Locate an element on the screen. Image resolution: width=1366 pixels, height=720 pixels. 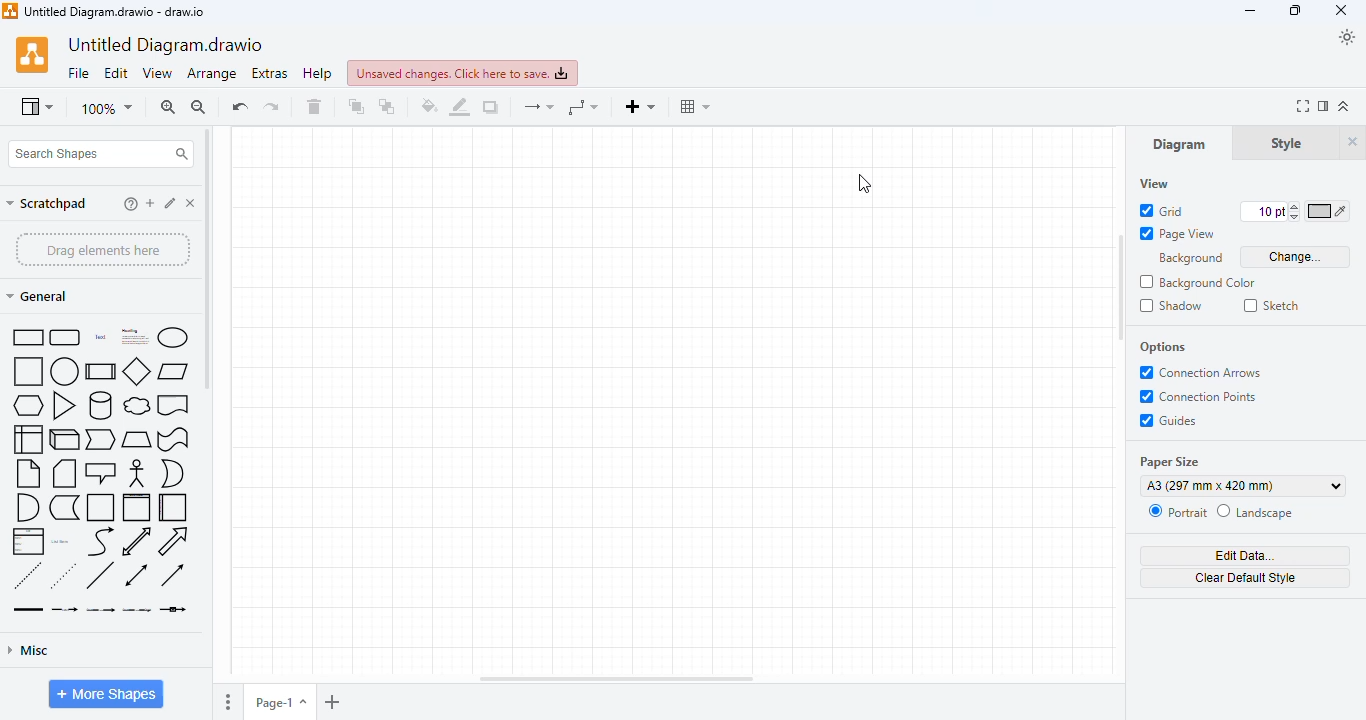
title is located at coordinates (166, 46).